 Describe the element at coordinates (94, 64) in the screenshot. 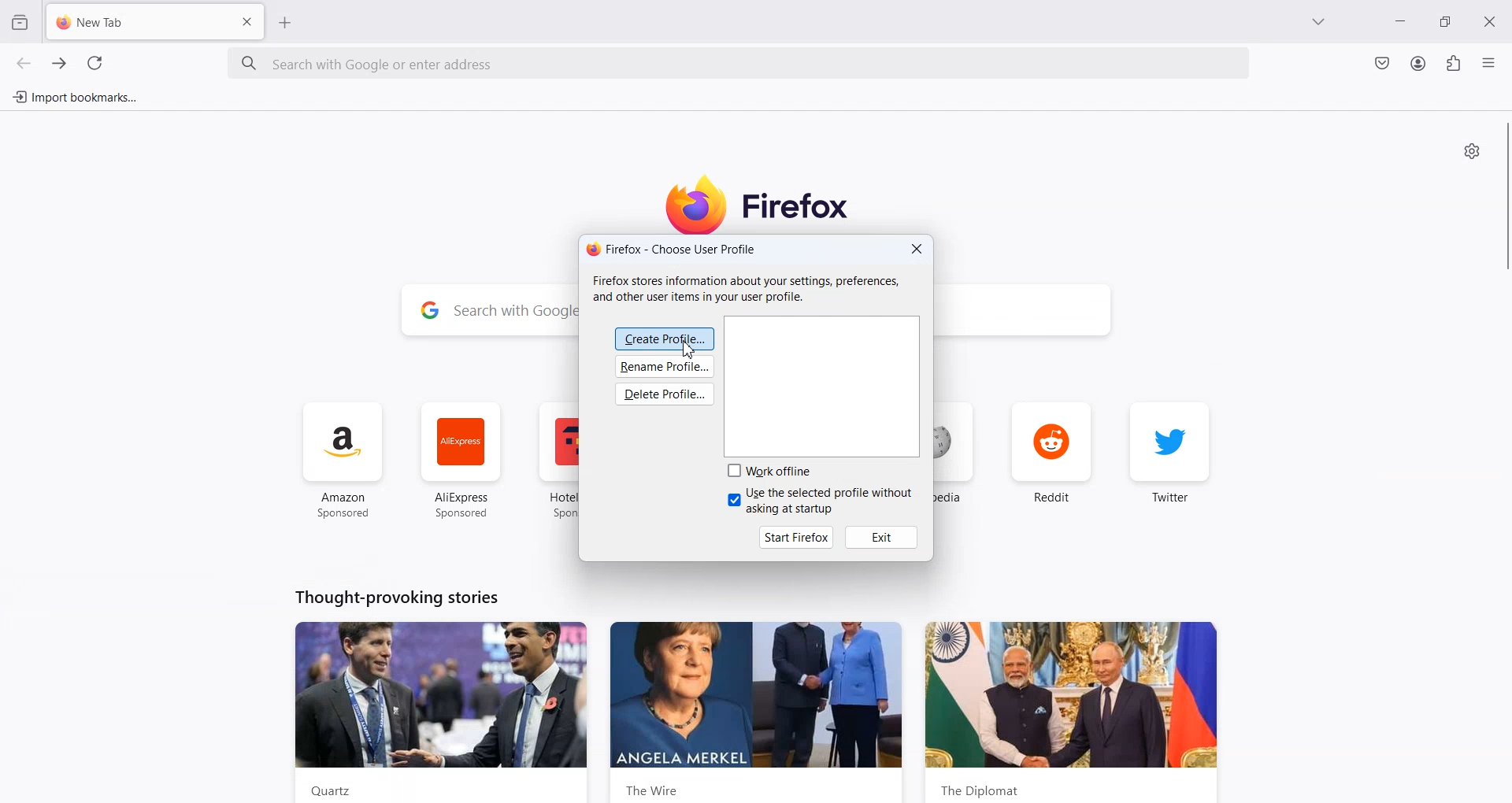

I see `Refresh` at that location.